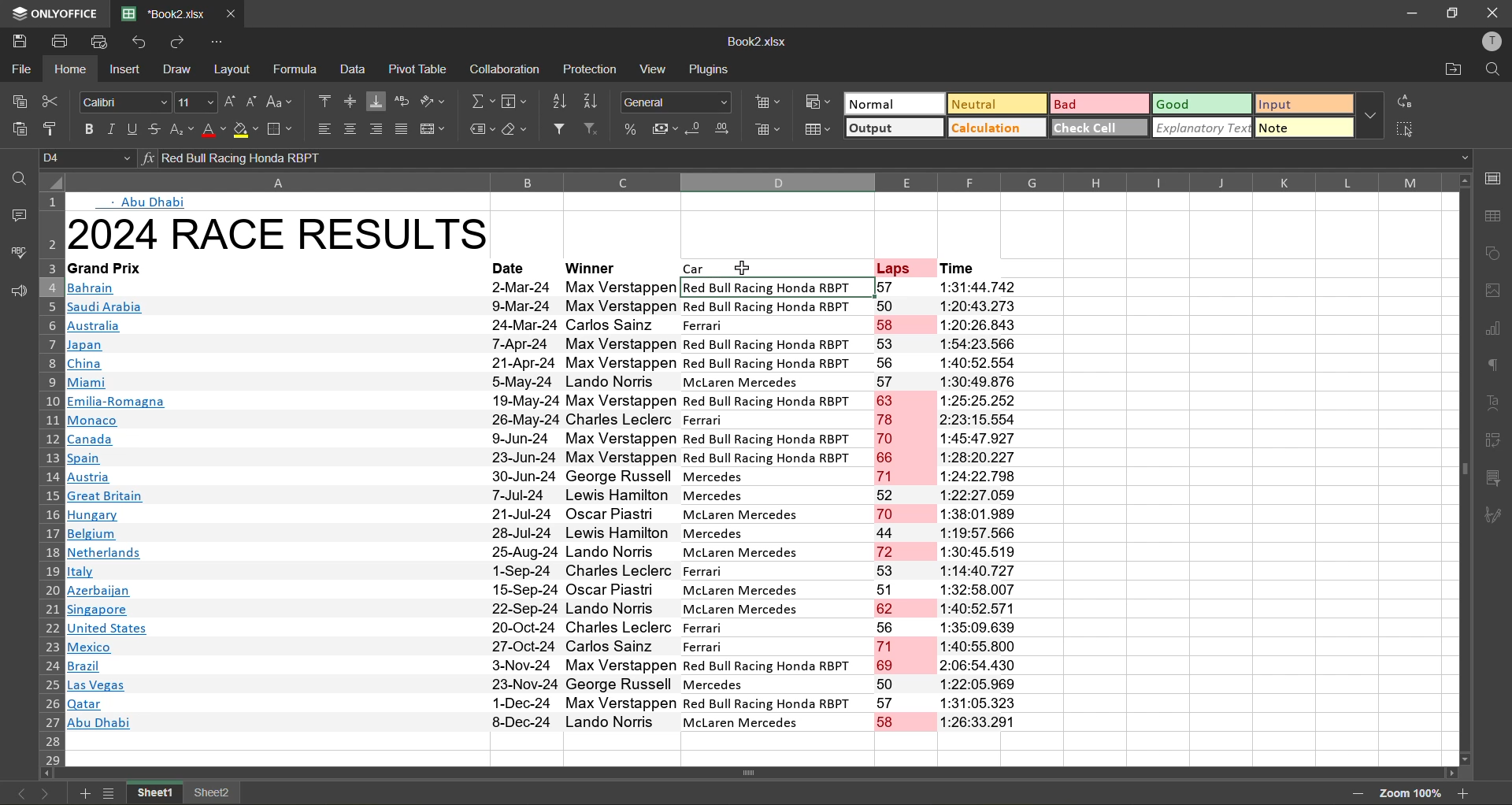 This screenshot has height=805, width=1512. Describe the element at coordinates (1204, 127) in the screenshot. I see `explanatory text` at that location.